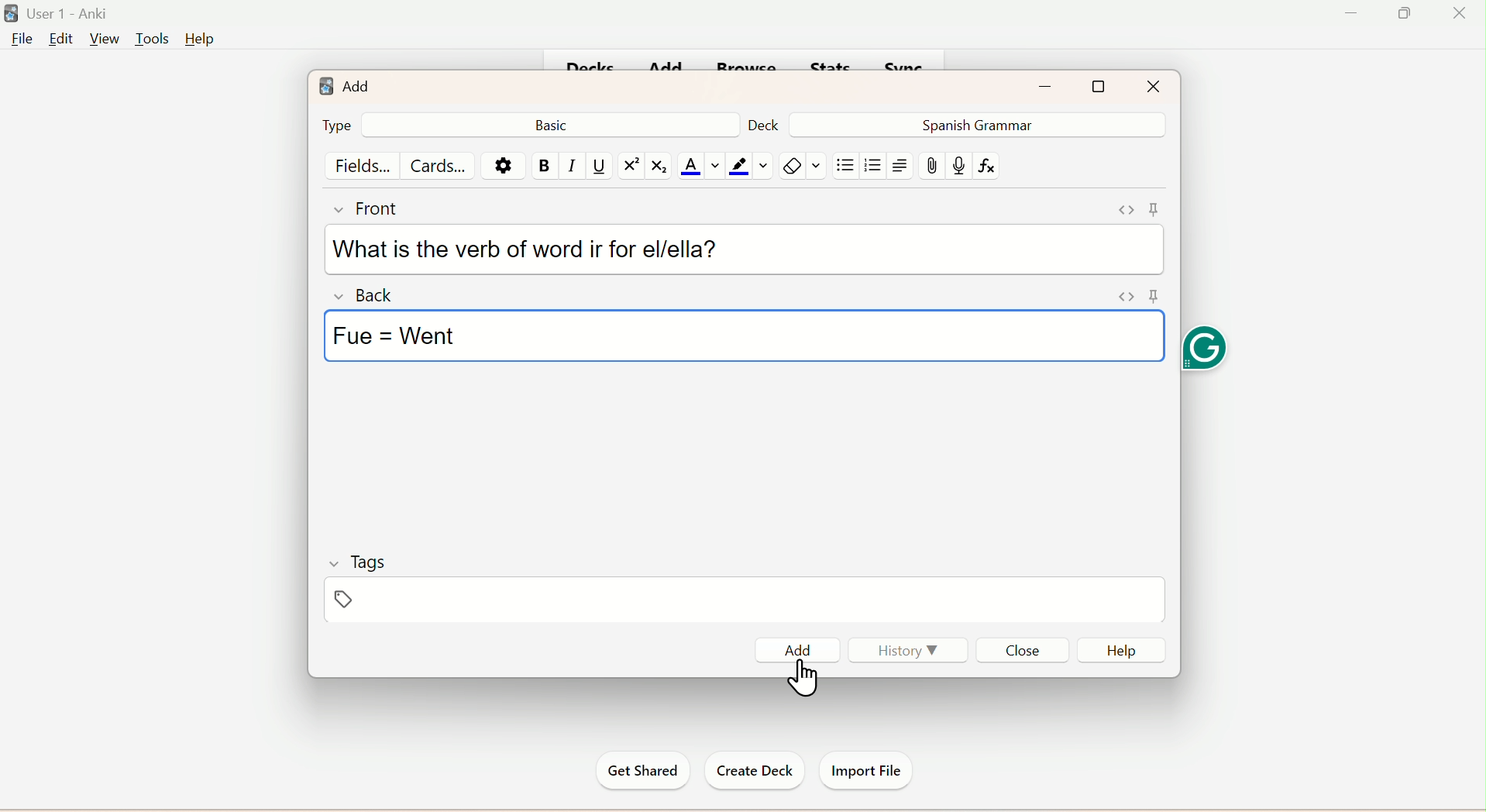 The height and width of the screenshot is (812, 1486). Describe the element at coordinates (22, 43) in the screenshot. I see `` at that location.